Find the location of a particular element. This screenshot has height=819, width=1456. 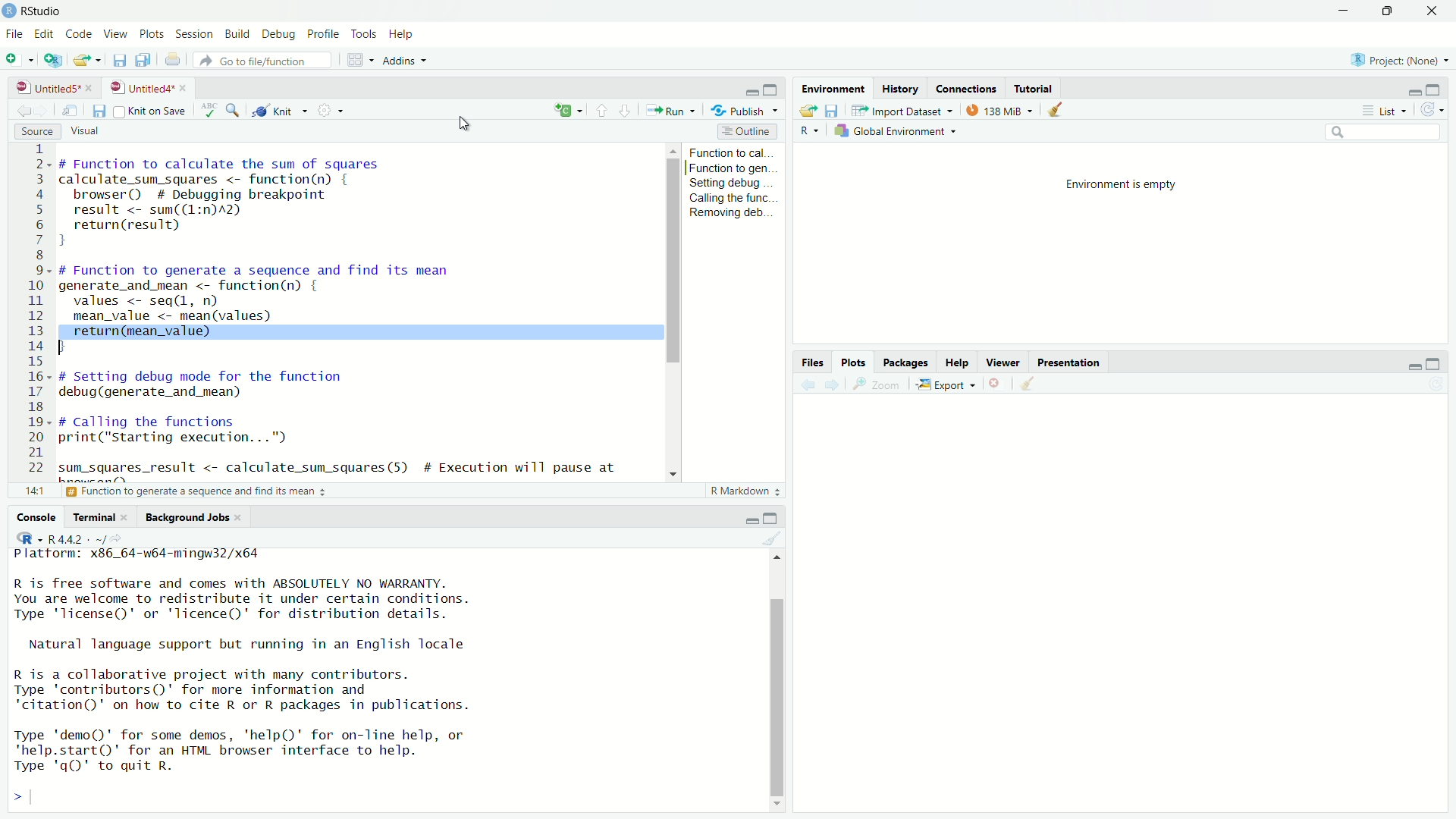

maximize is located at coordinates (1395, 13).